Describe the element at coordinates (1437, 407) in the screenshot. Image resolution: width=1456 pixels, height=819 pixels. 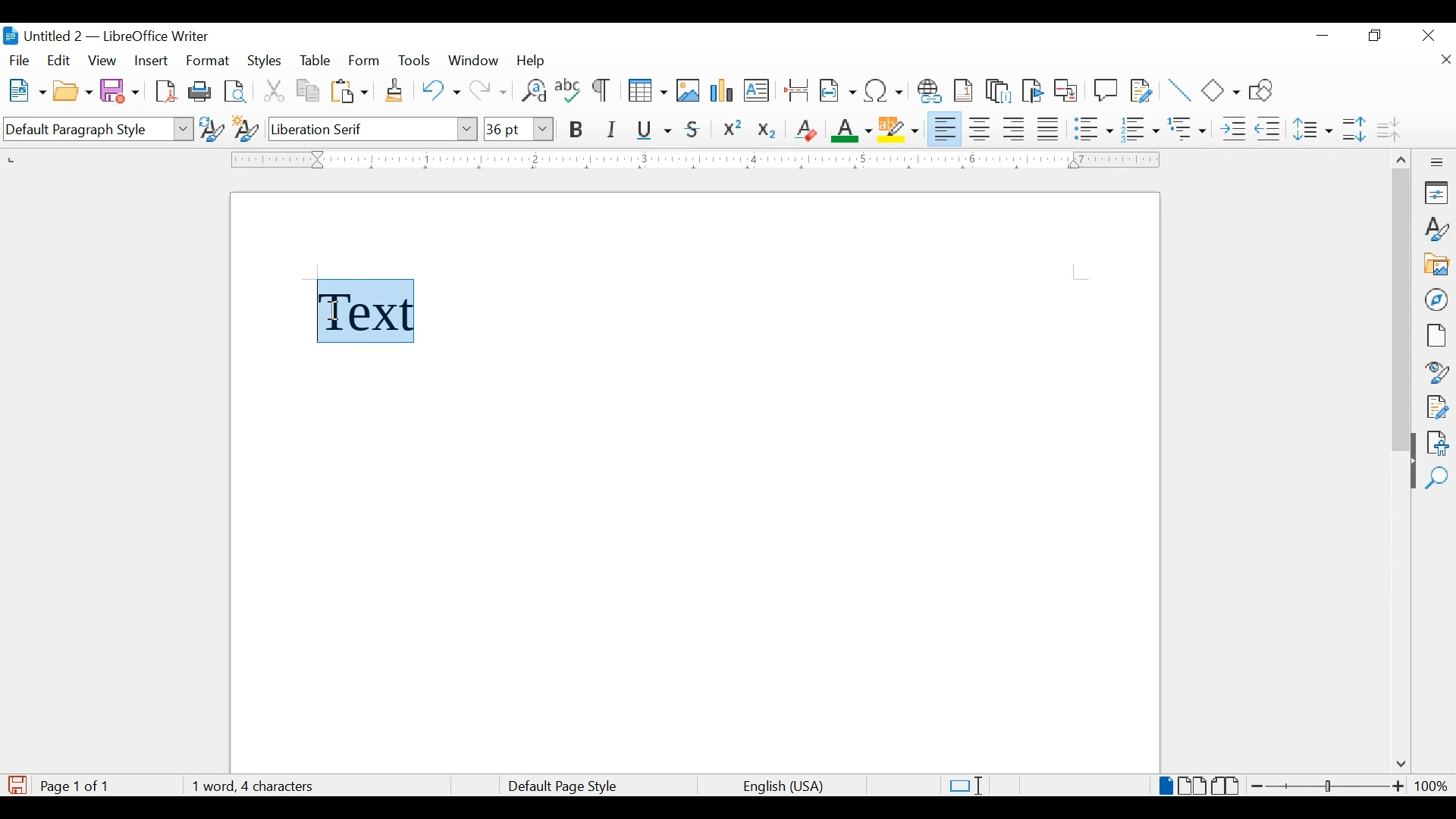
I see `manage changes` at that location.